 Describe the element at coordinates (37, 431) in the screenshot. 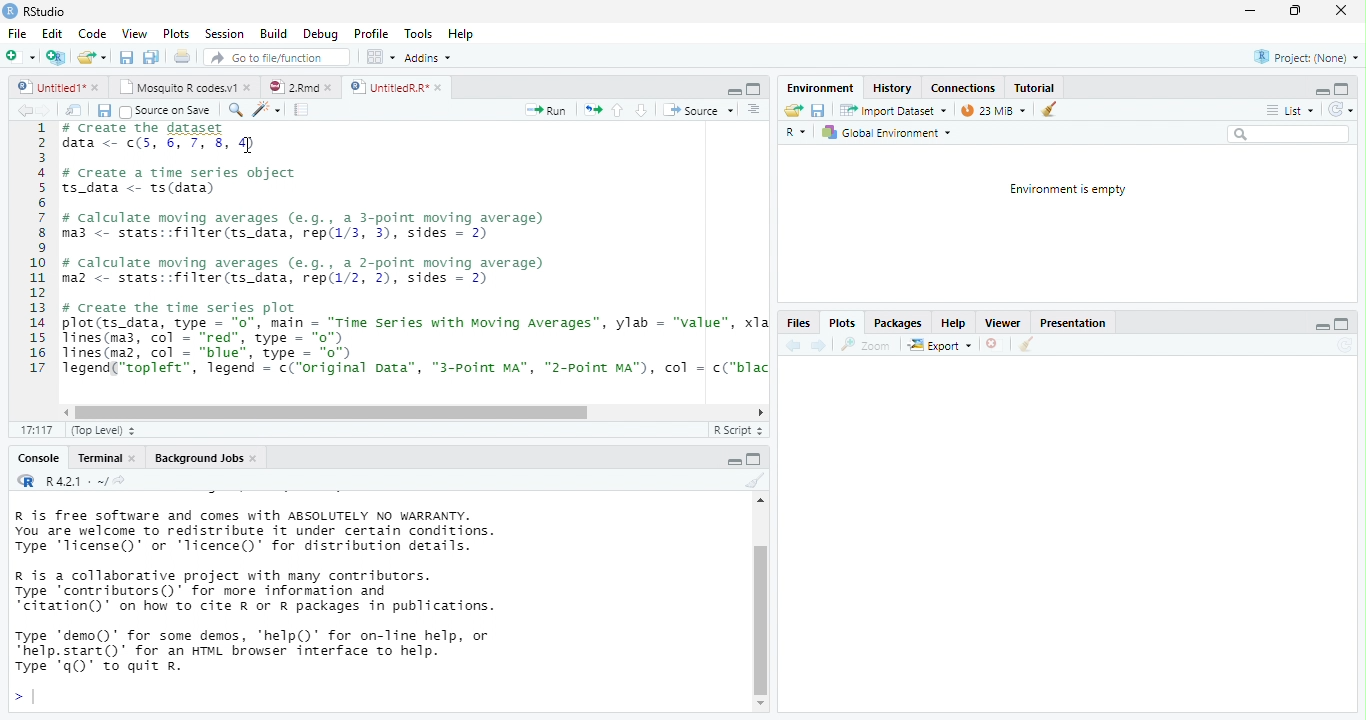

I see `17:17` at that location.